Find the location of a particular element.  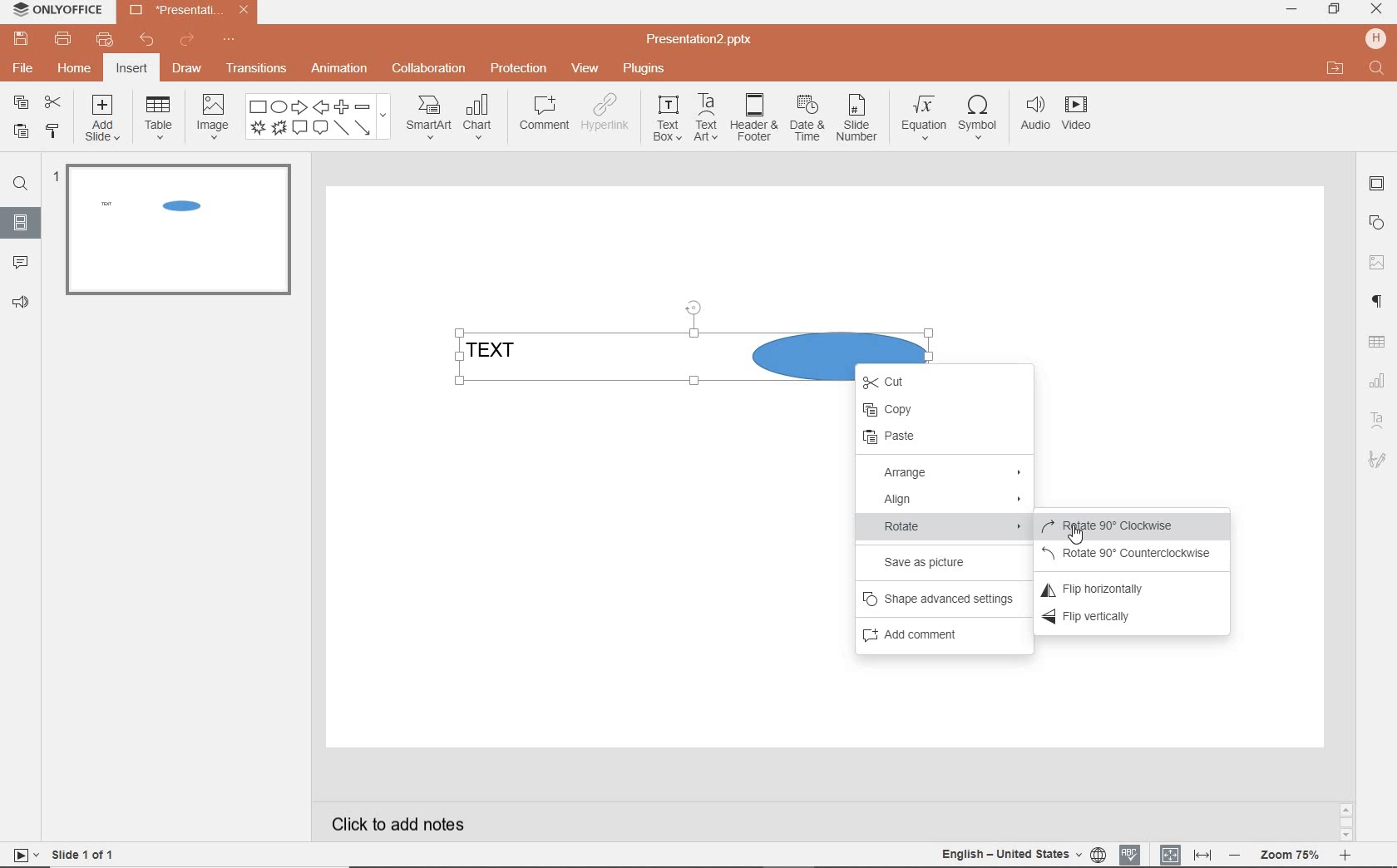

SCROLLBAR is located at coordinates (1346, 821).